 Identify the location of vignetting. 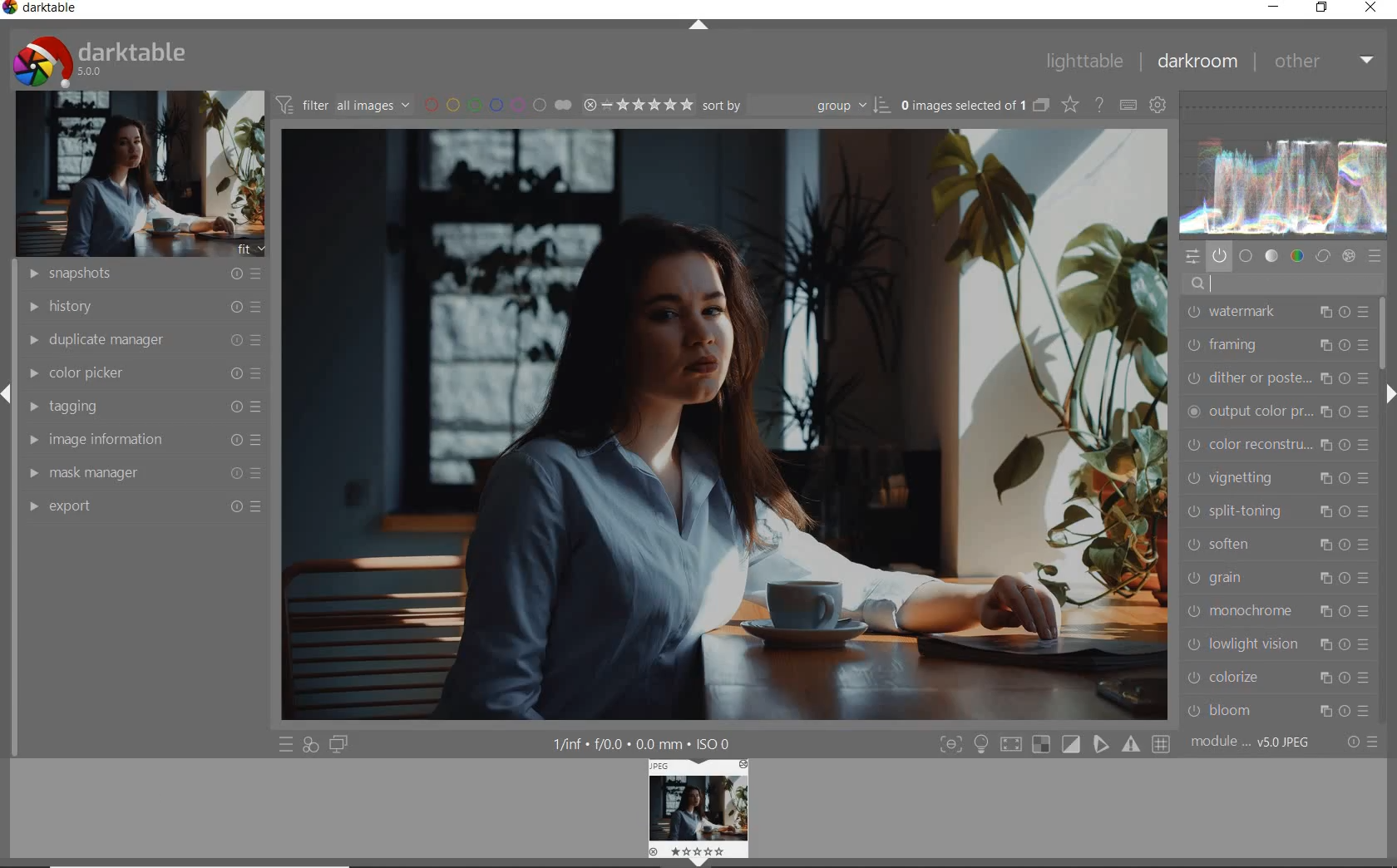
(1278, 479).